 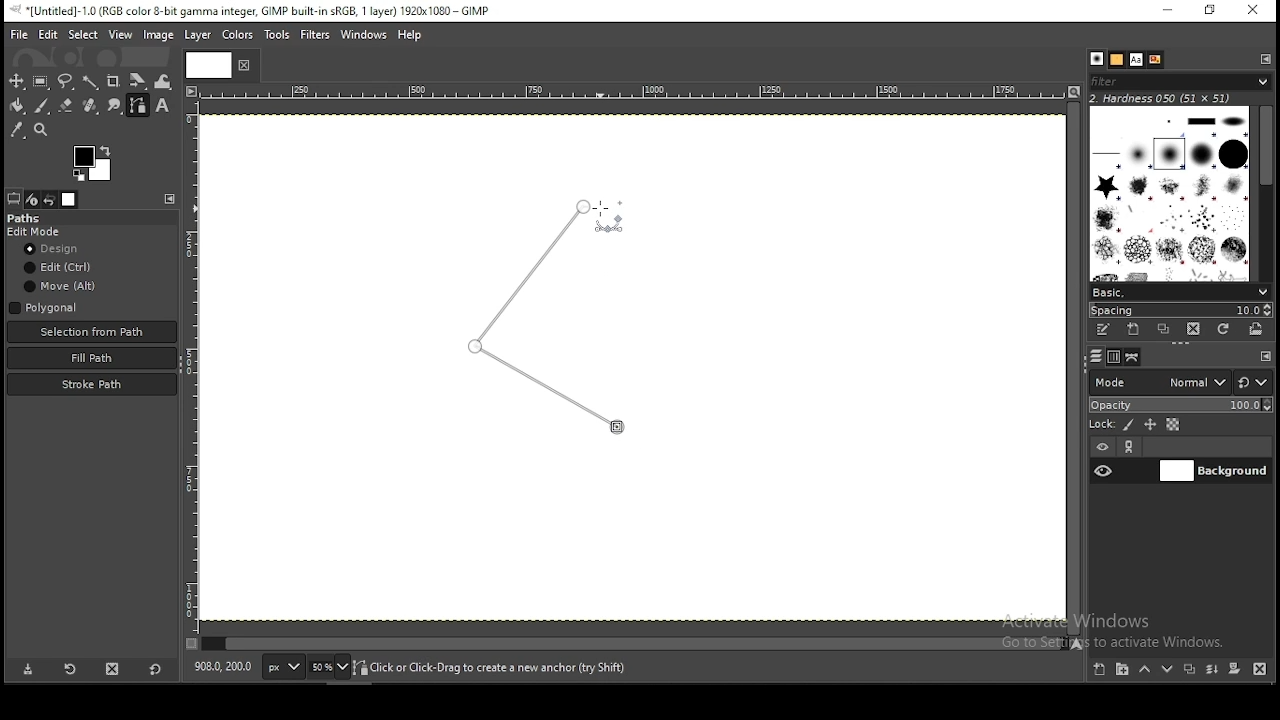 I want to click on shear tool, so click(x=138, y=81).